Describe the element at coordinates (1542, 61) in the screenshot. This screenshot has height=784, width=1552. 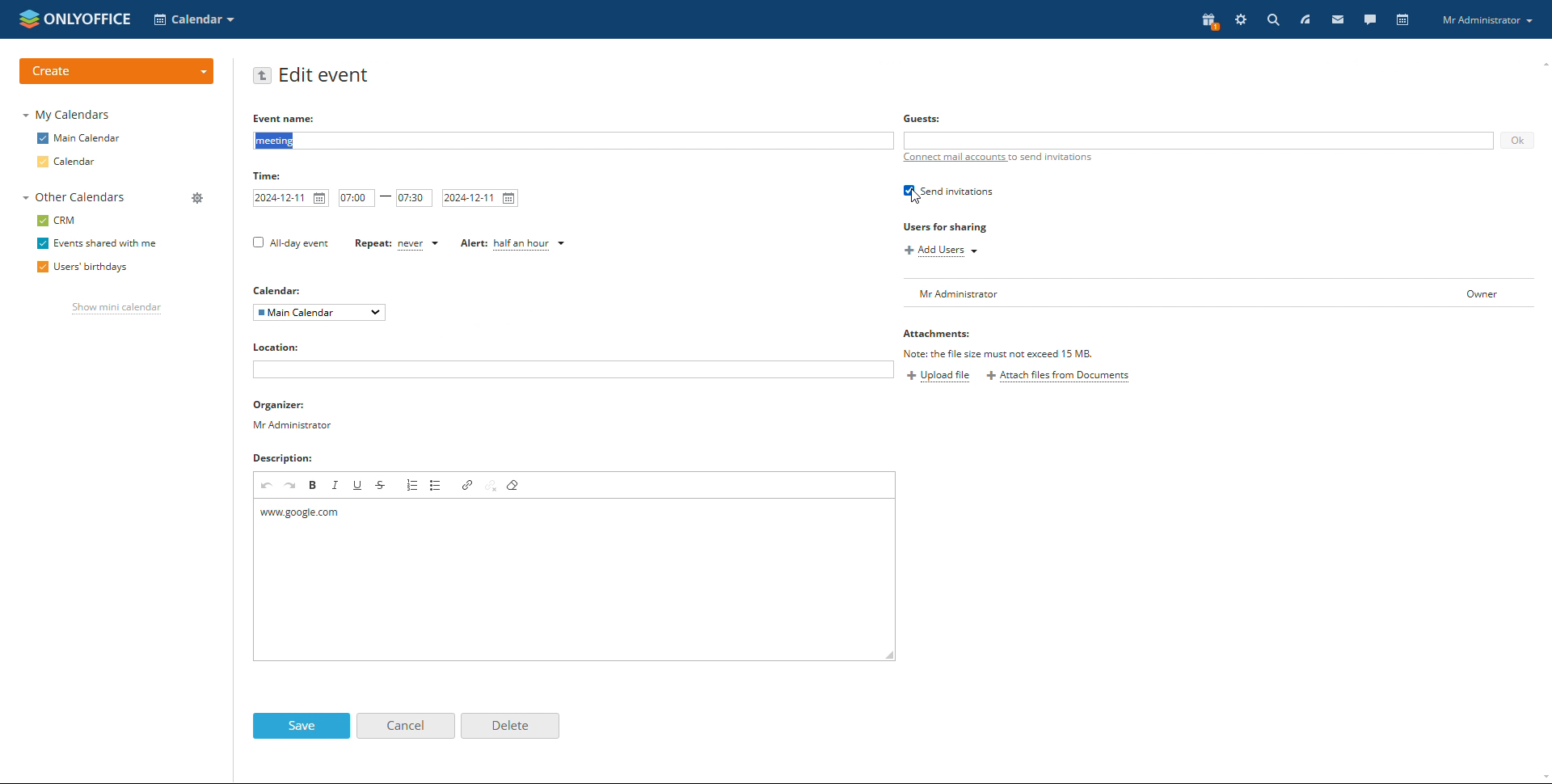
I see `scroll up` at that location.